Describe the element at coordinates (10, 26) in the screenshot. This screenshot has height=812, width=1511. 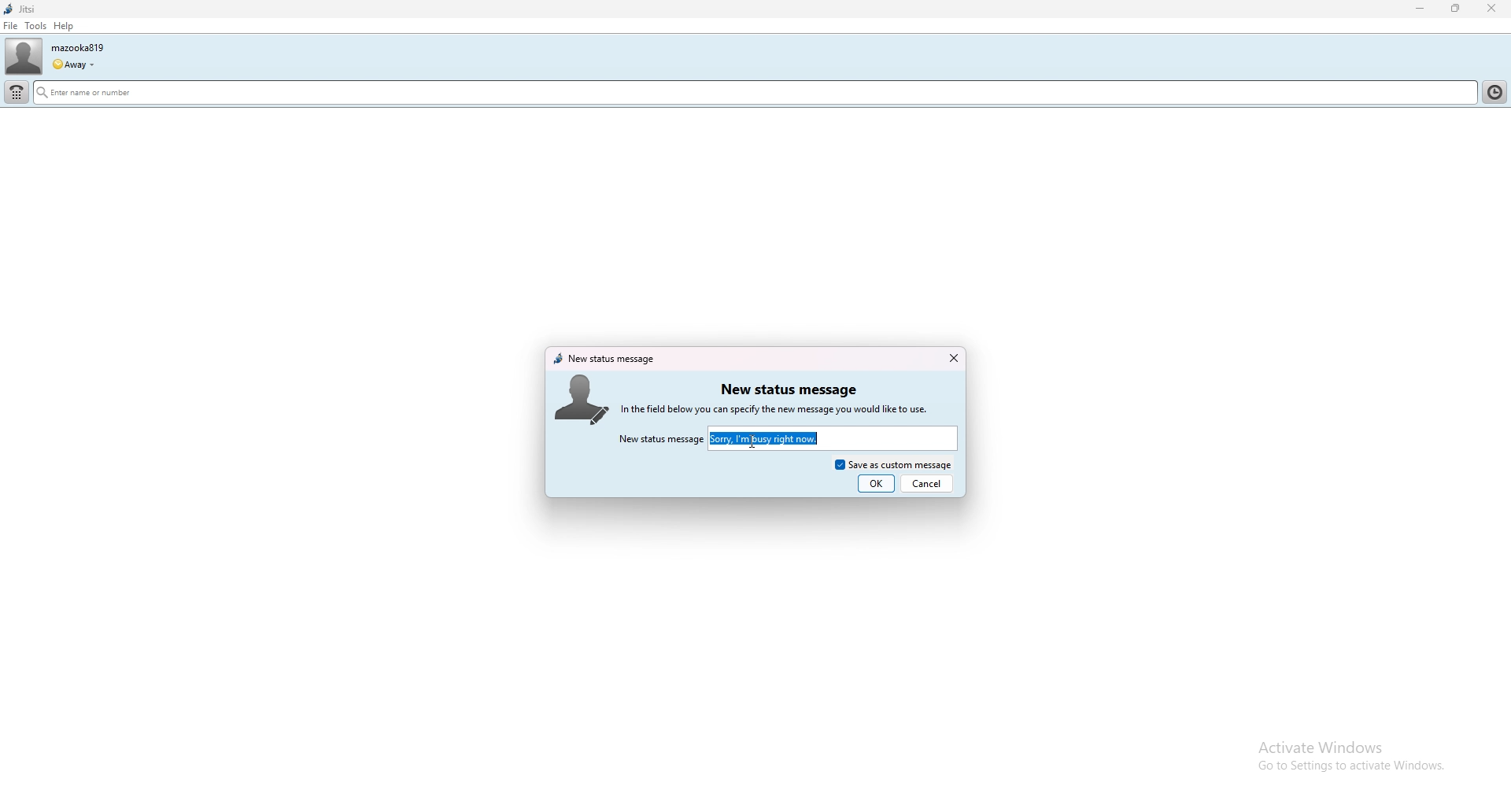
I see `file` at that location.